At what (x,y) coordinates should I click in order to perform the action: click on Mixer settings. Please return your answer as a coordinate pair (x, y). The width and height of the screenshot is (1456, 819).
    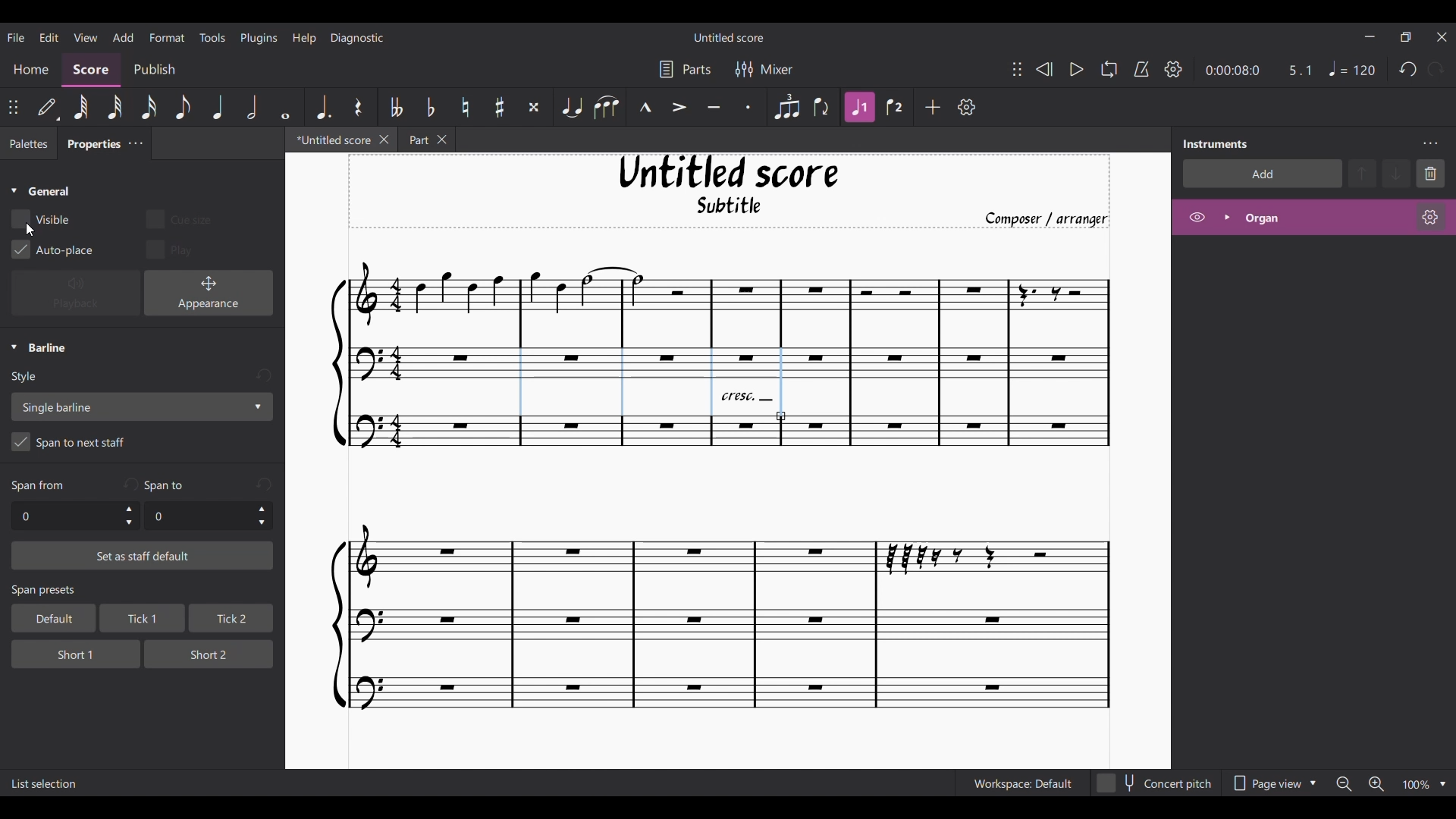
    Looking at the image, I should click on (764, 69).